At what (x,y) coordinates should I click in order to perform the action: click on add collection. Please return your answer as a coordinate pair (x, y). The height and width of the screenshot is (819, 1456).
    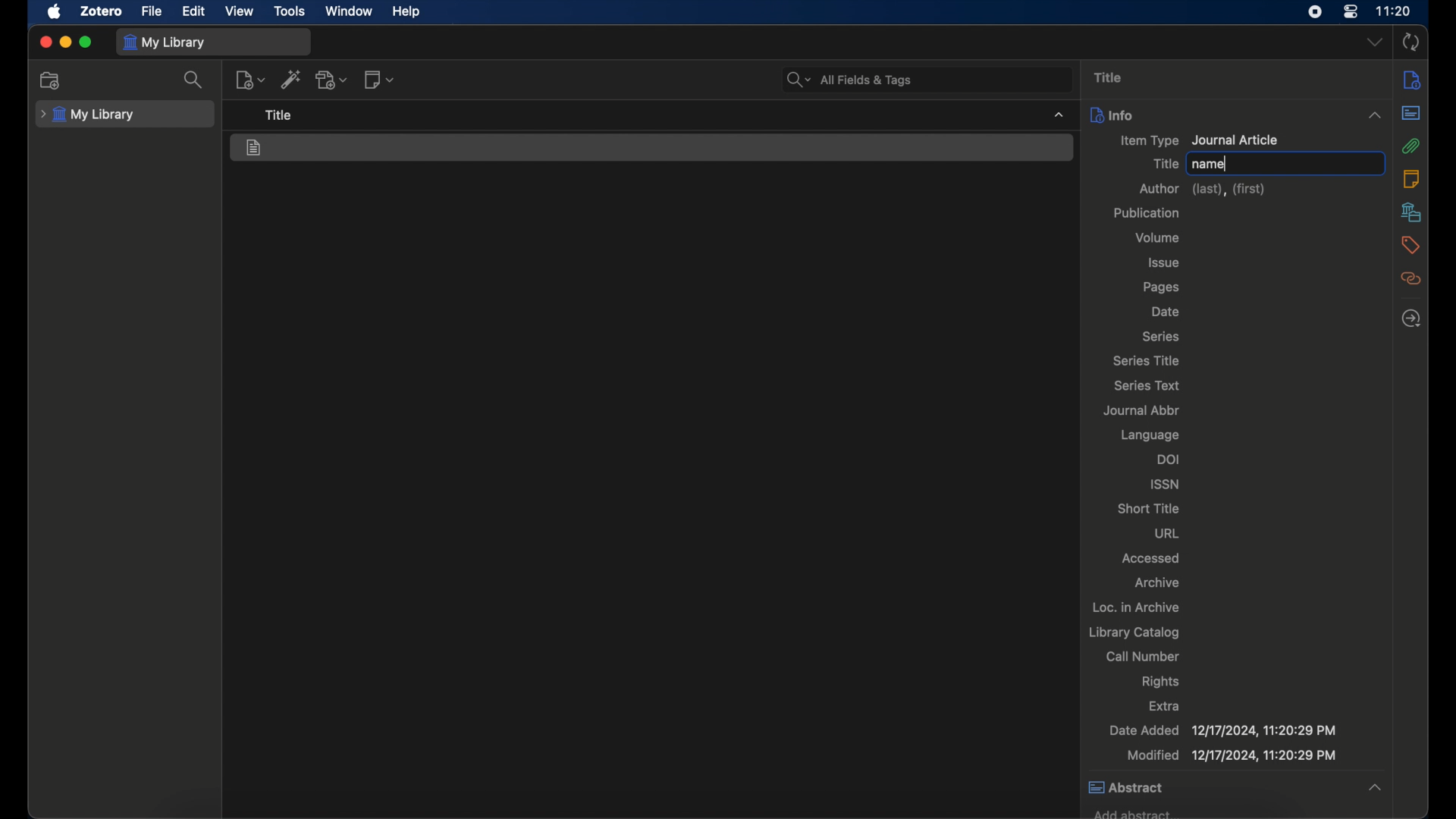
    Looking at the image, I should click on (51, 81).